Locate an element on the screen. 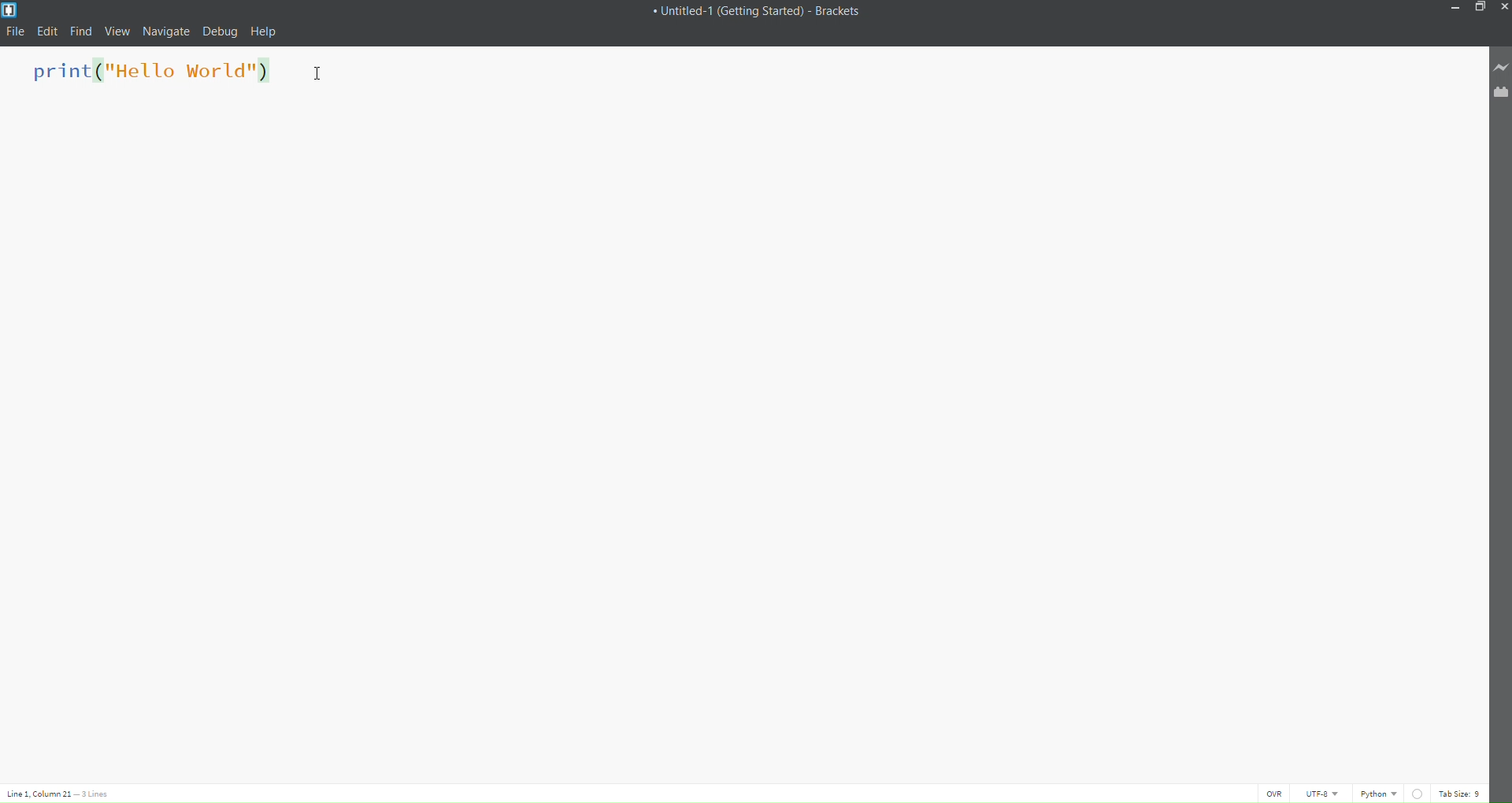  maximize is located at coordinates (1478, 7).